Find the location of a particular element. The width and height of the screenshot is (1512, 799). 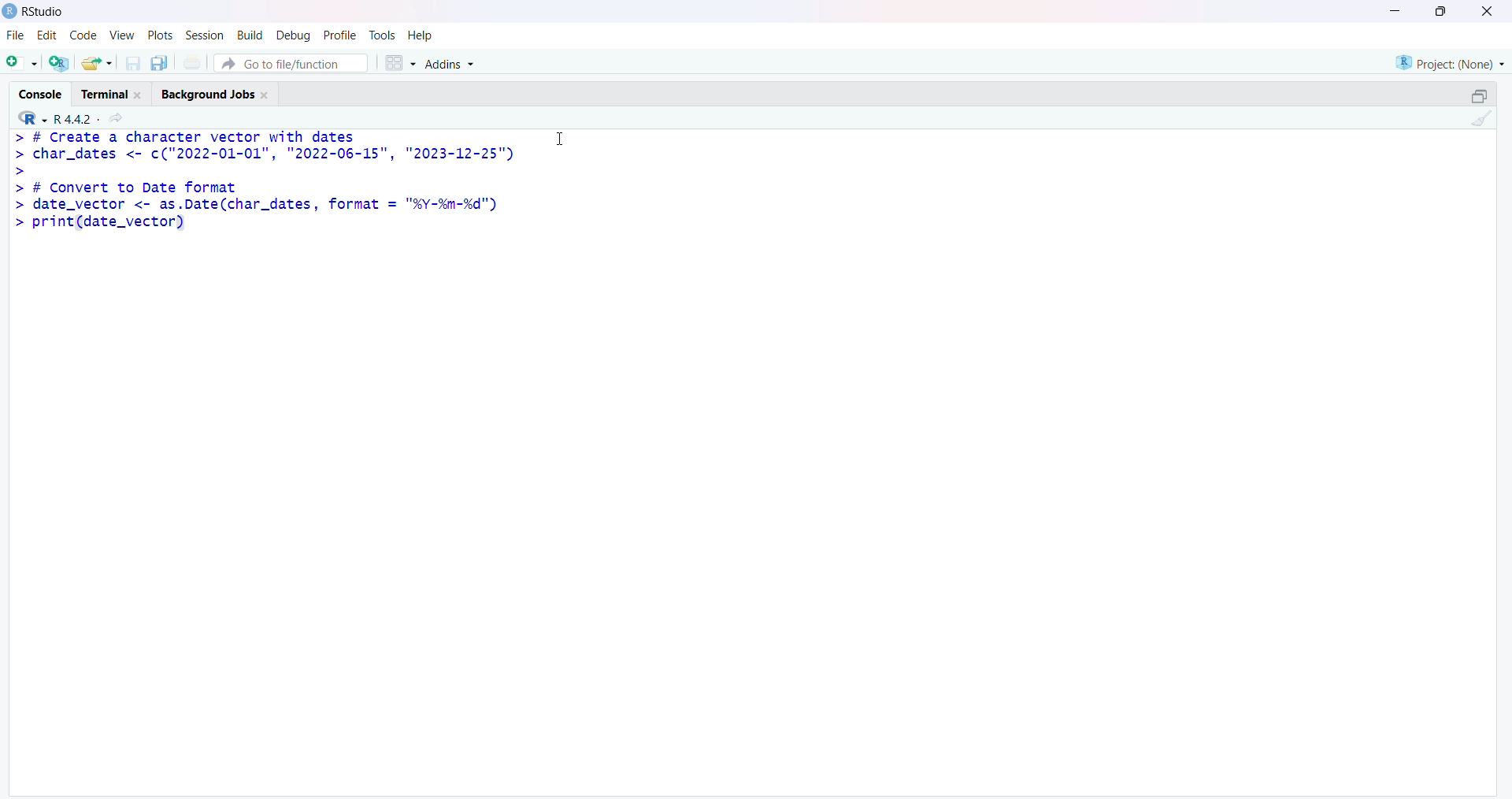

File is located at coordinates (13, 38).